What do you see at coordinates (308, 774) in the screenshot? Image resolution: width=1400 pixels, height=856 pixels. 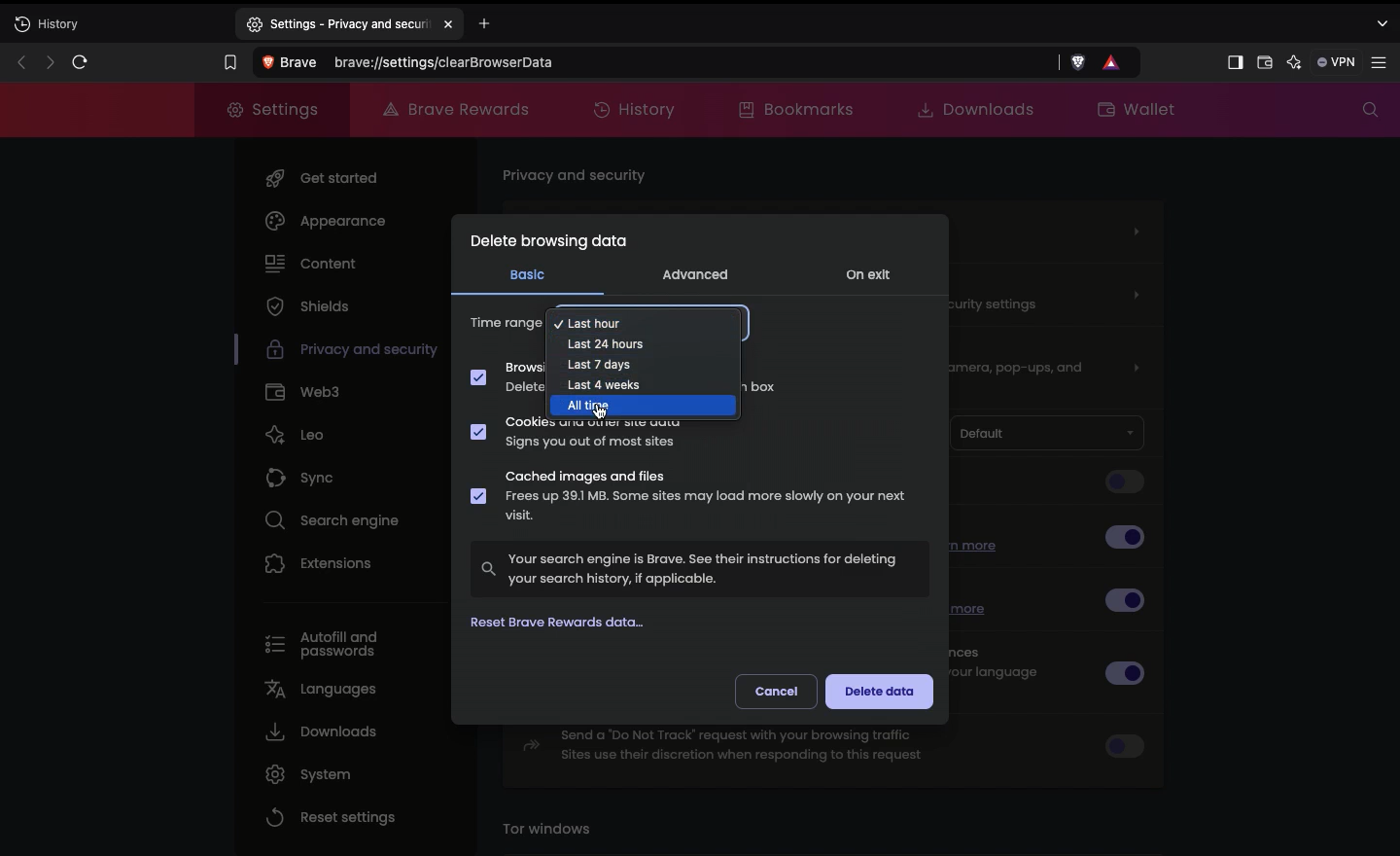 I see `System` at bounding box center [308, 774].